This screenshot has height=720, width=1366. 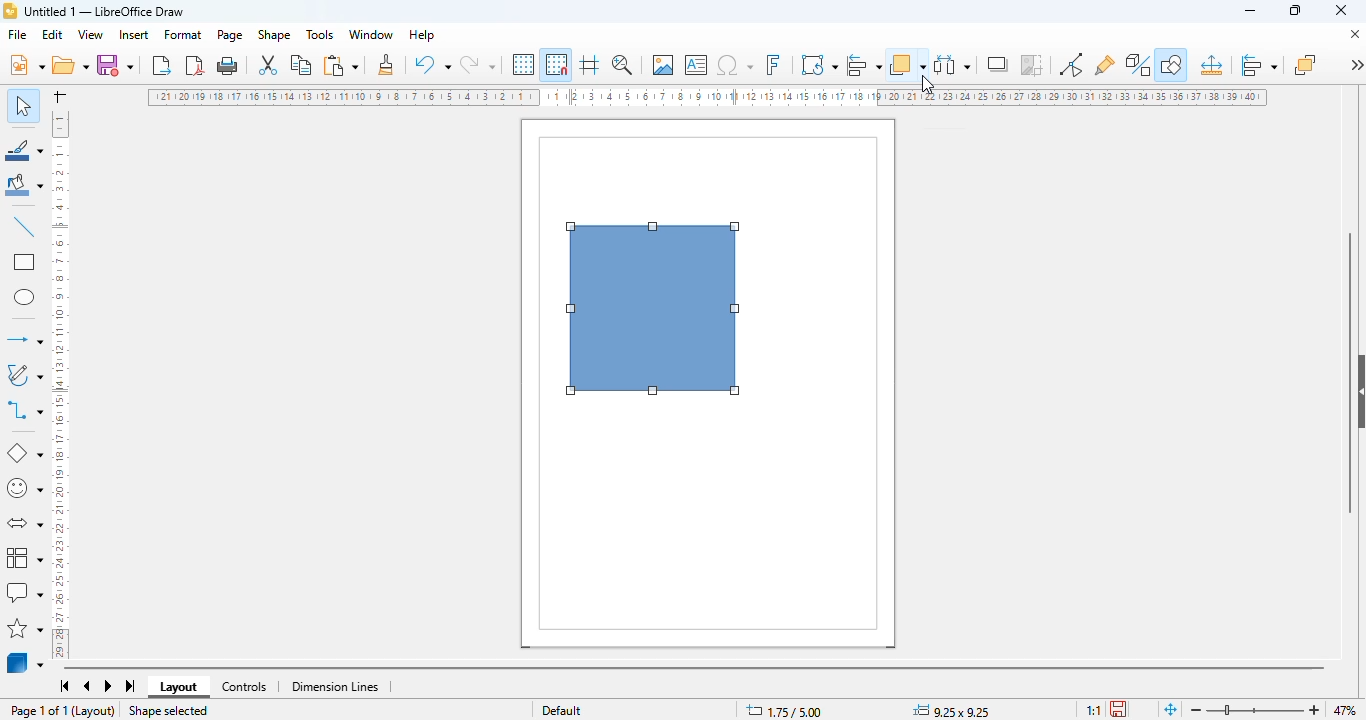 I want to click on horizontal scroll bar, so click(x=693, y=668).